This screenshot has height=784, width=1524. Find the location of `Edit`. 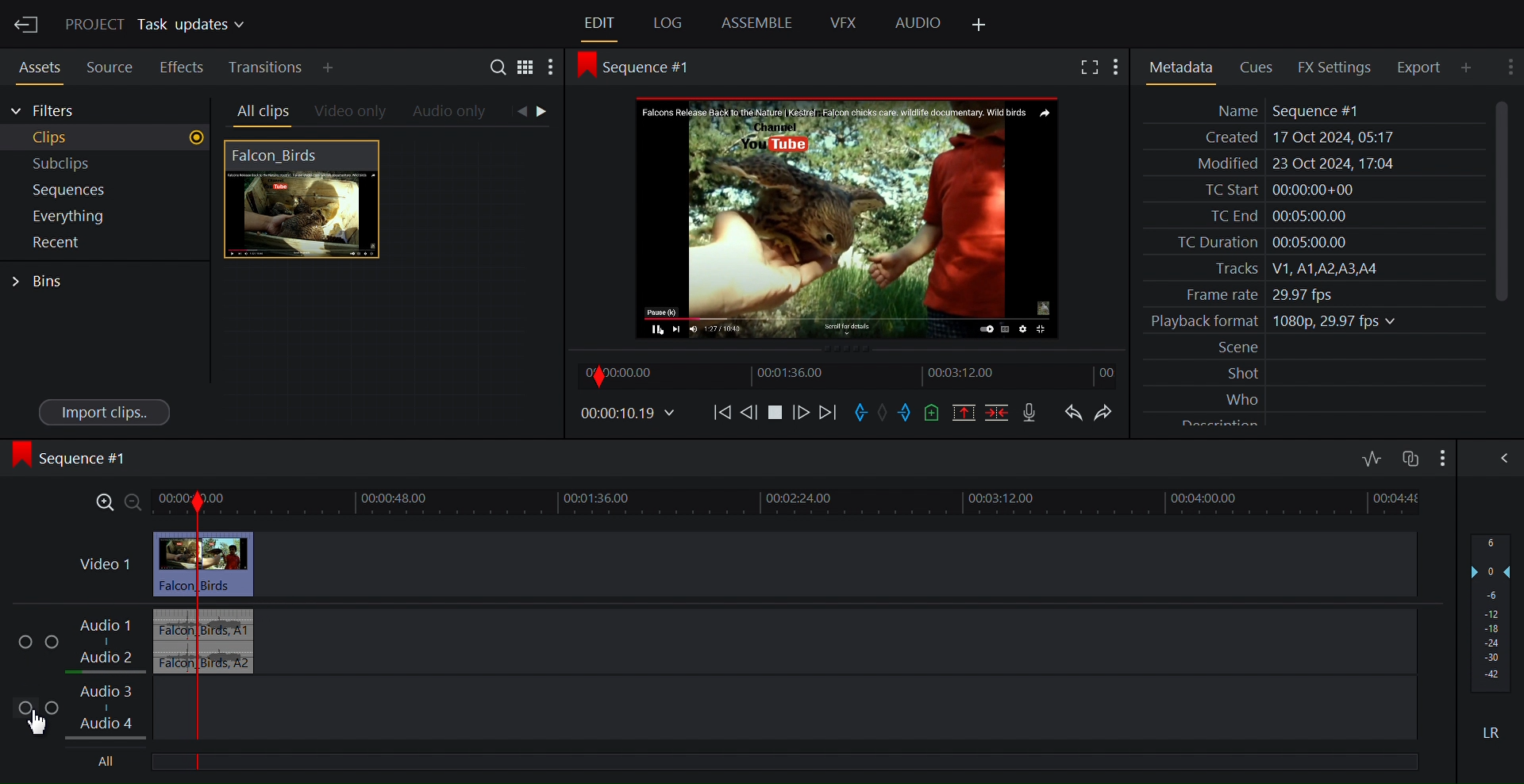

Edit is located at coordinates (601, 24).